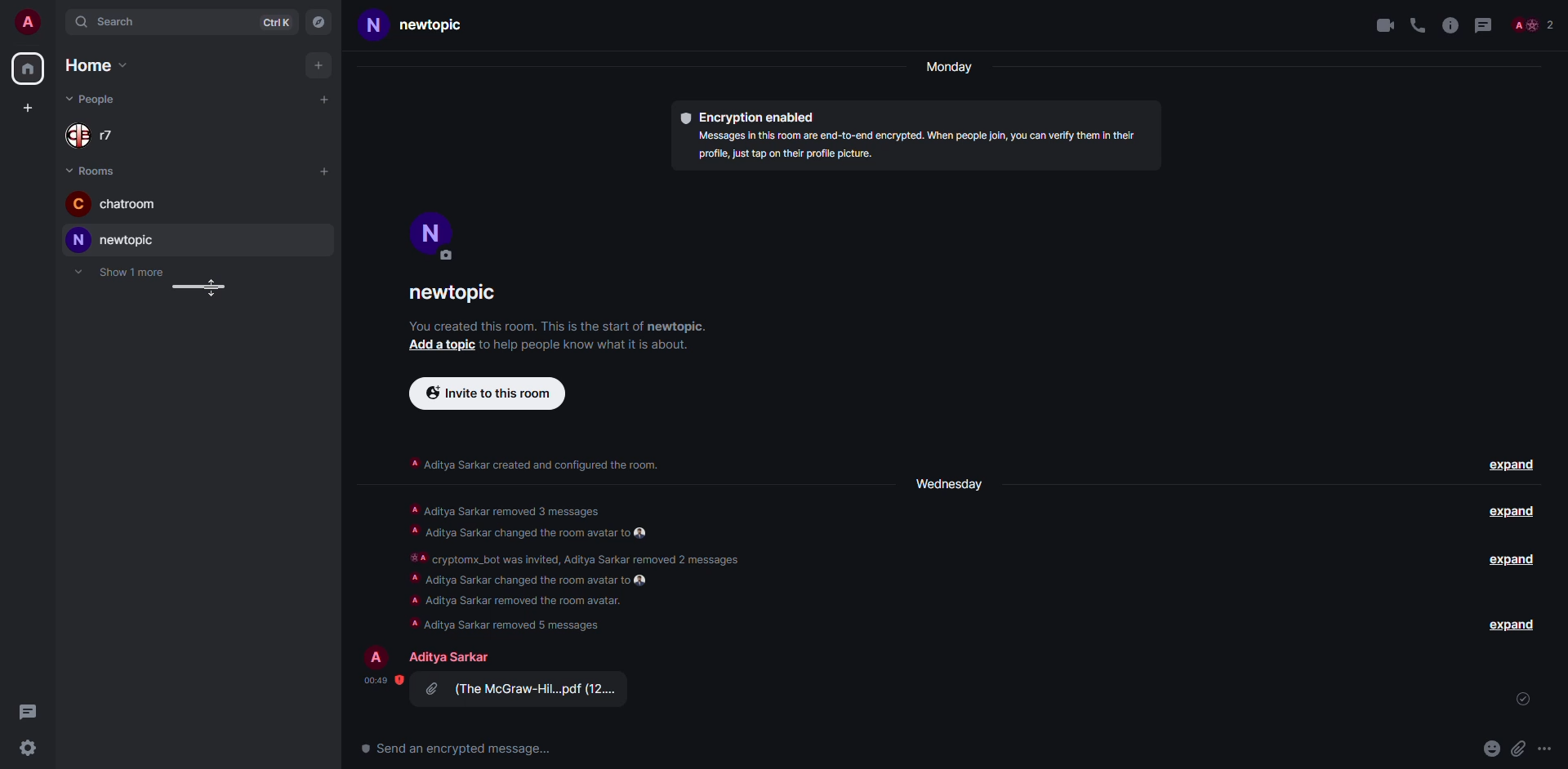  I want to click on people, so click(95, 99).